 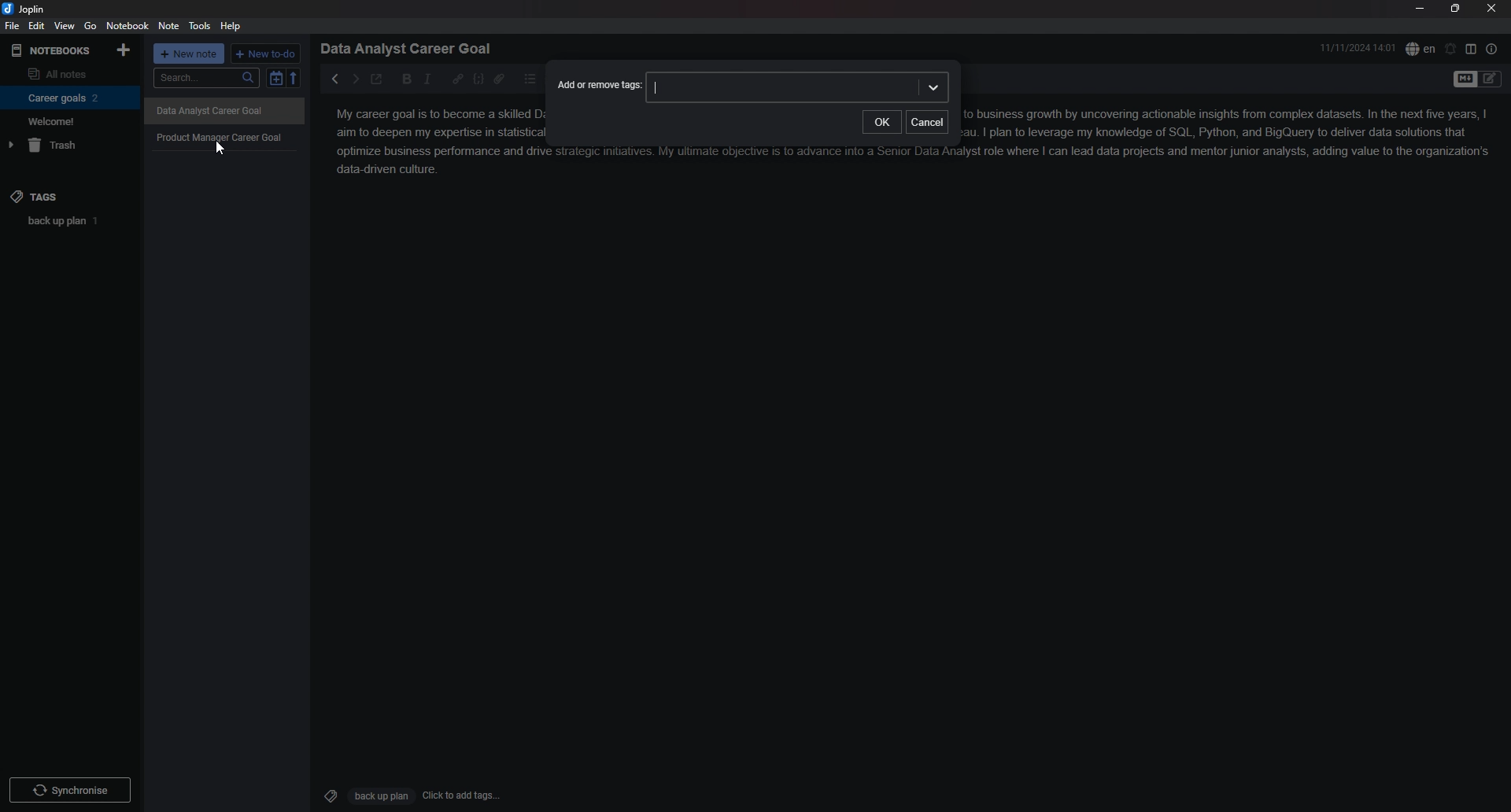 What do you see at coordinates (884, 120) in the screenshot?
I see `ok` at bounding box center [884, 120].